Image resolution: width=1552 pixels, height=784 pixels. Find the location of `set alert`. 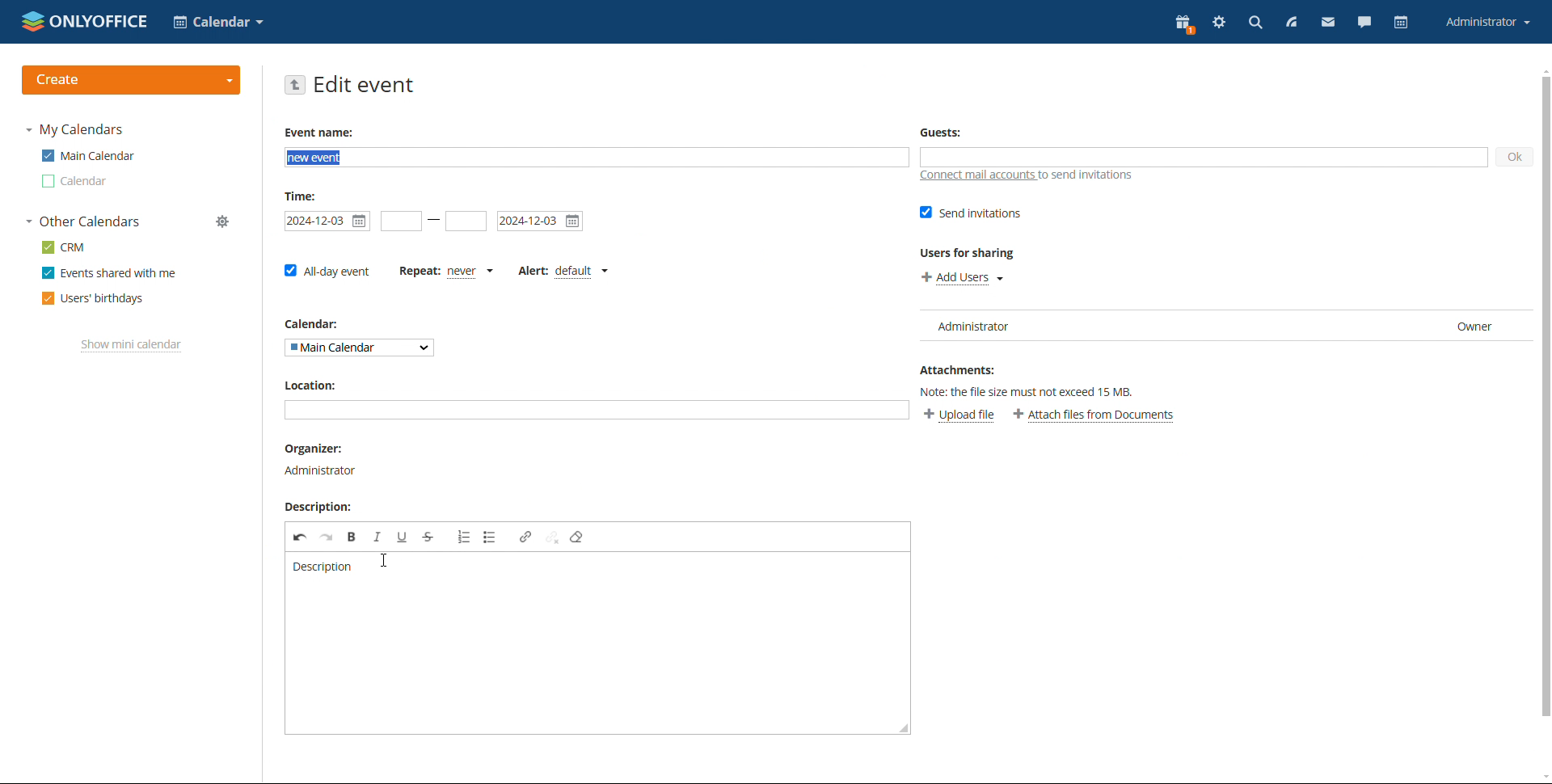

set alert is located at coordinates (530, 272).